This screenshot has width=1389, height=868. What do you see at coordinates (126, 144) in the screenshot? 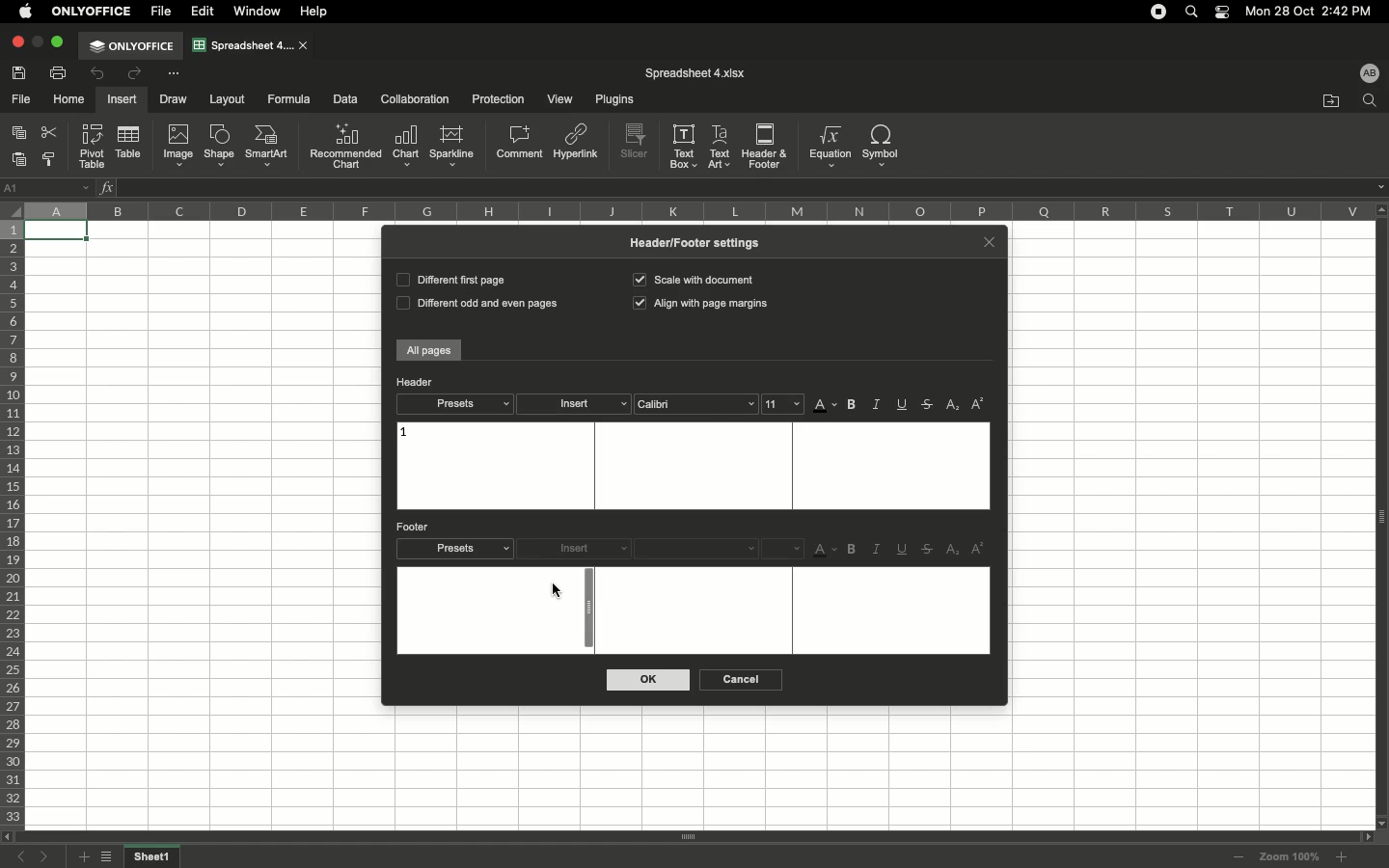
I see `Table` at bounding box center [126, 144].